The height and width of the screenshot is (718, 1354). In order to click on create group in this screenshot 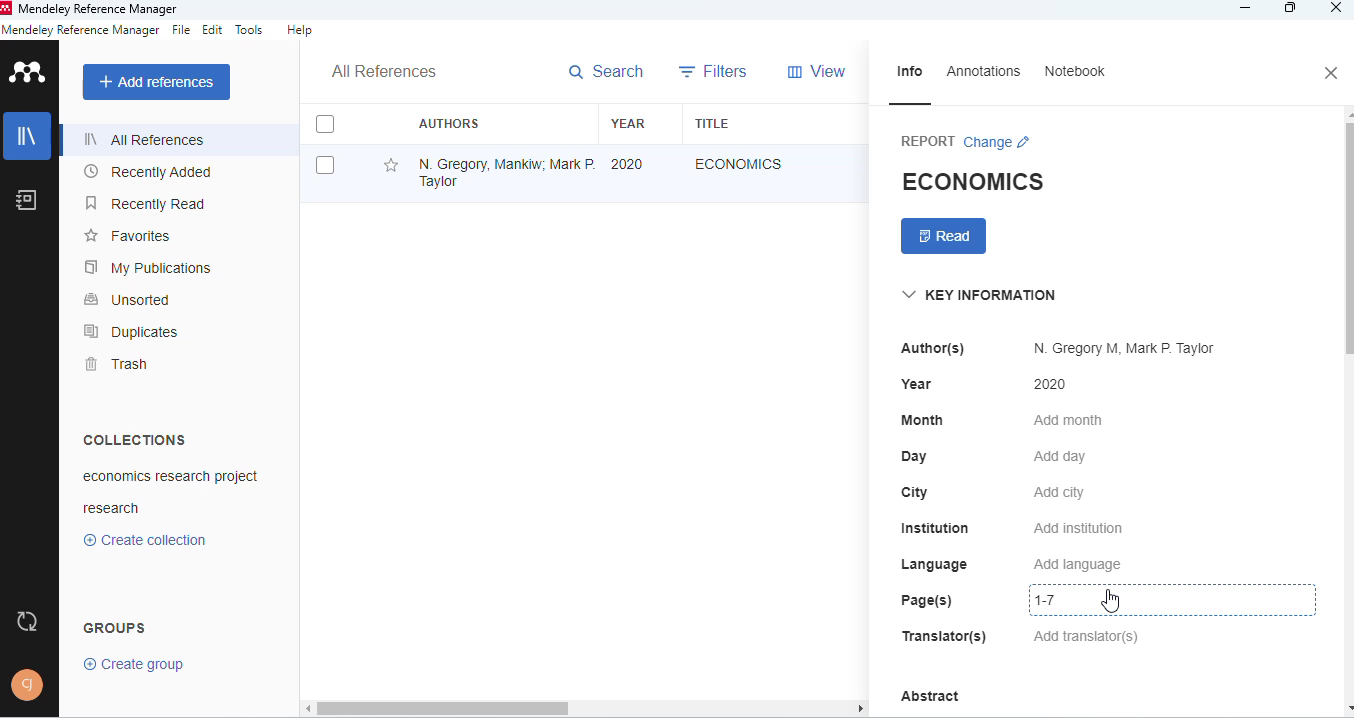, I will do `click(135, 664)`.